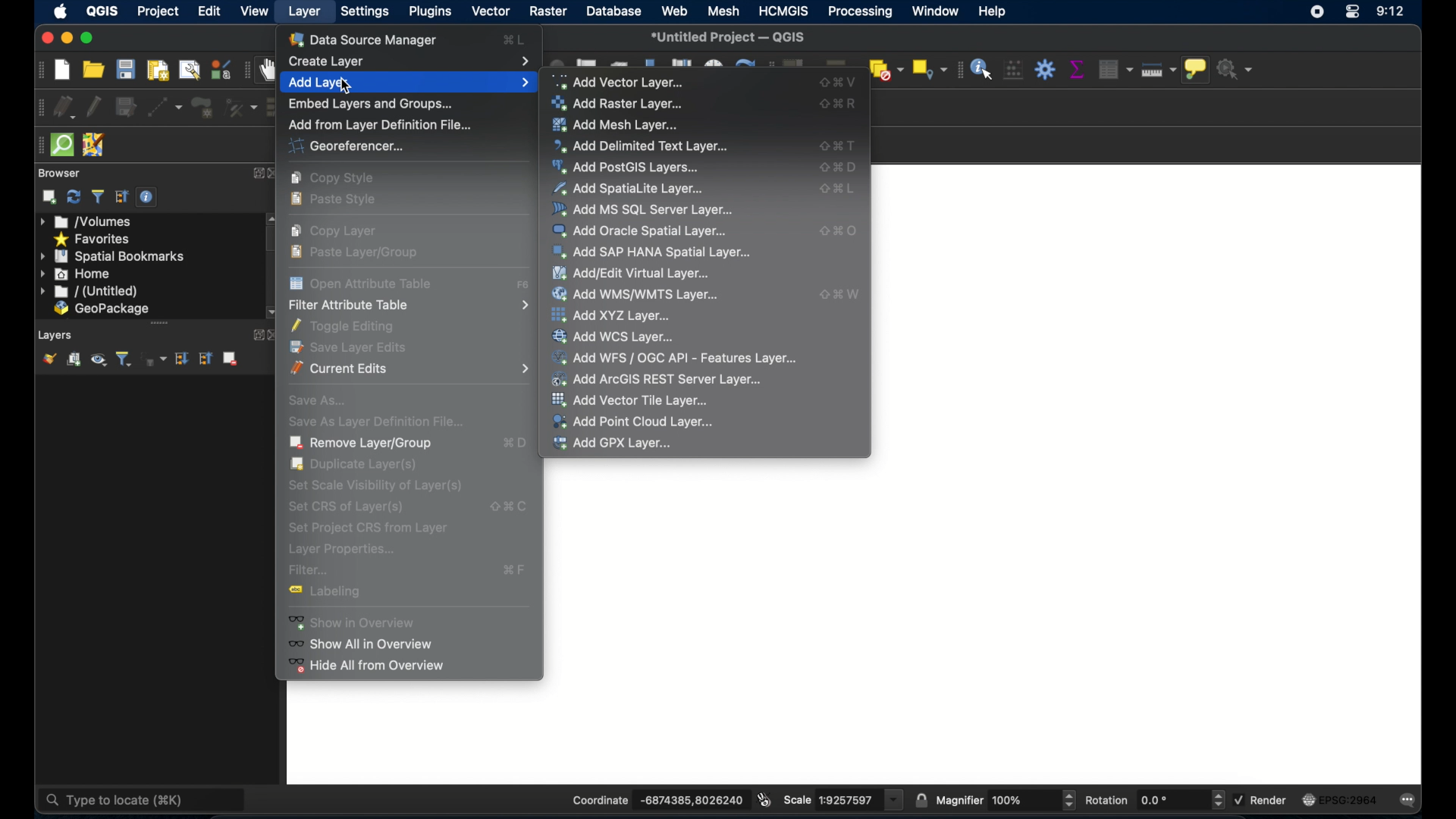  I want to click on scroll bar, so click(155, 324).